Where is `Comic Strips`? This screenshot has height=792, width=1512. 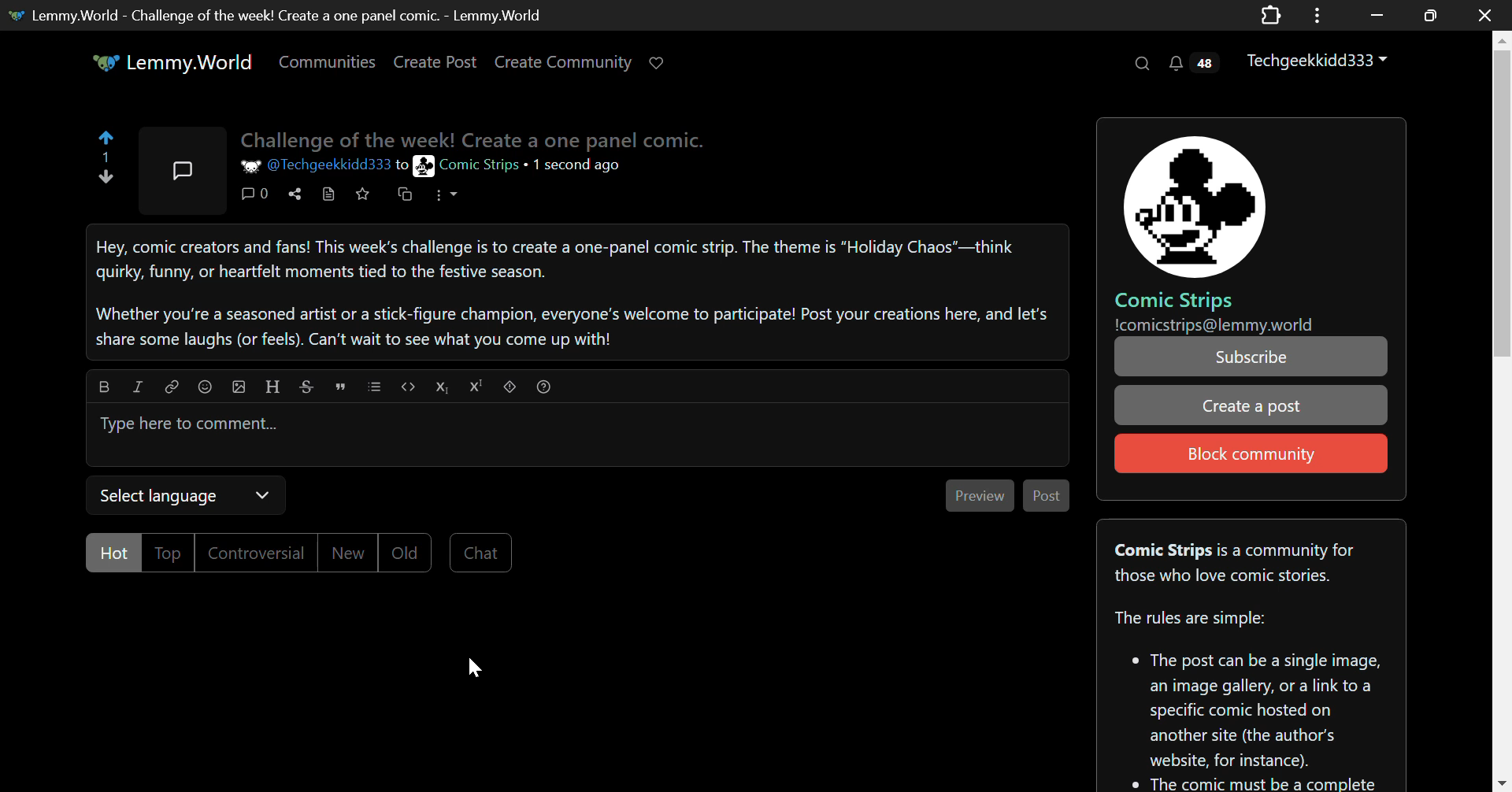
Comic Strips is located at coordinates (465, 167).